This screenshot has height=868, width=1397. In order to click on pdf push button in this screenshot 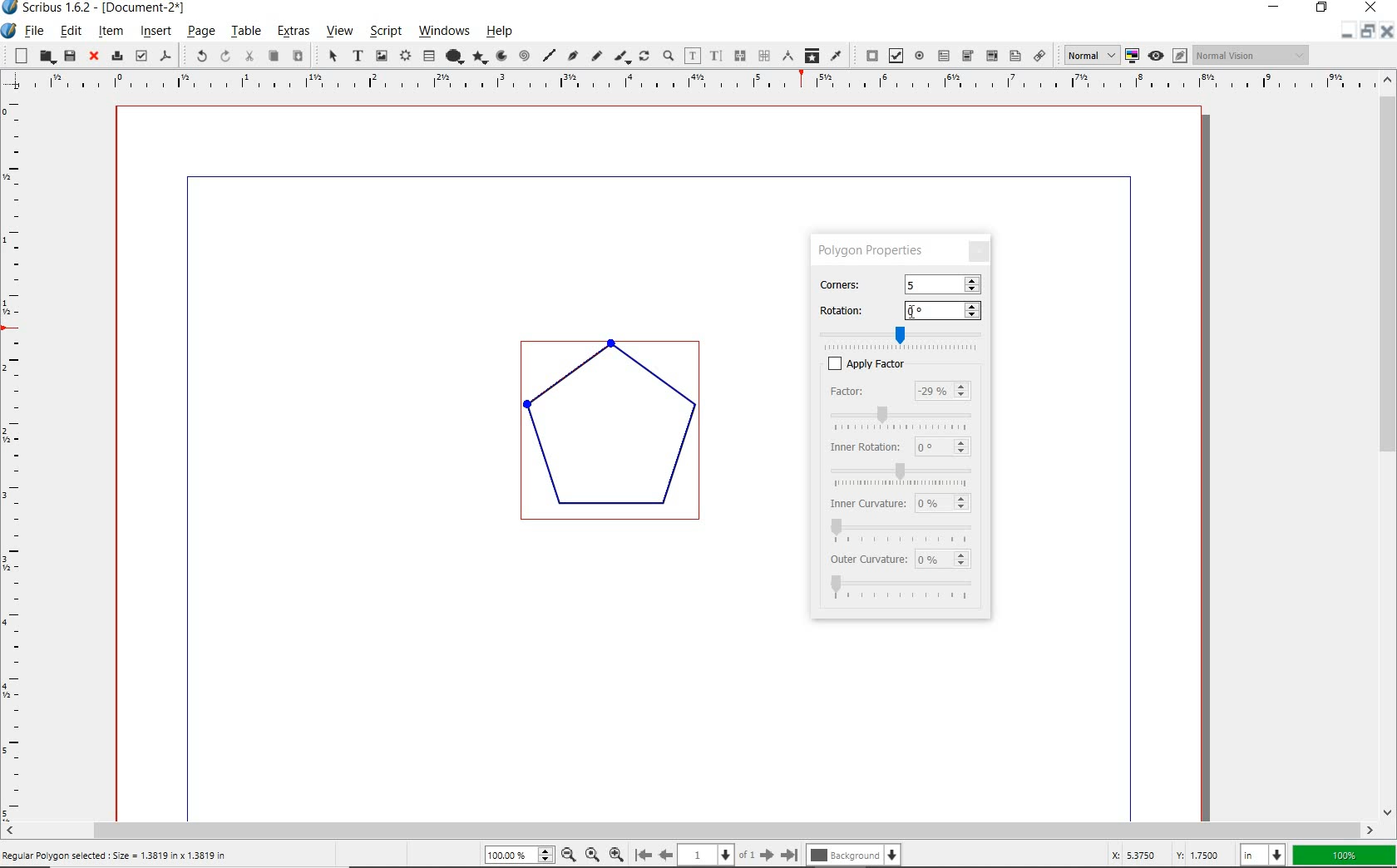, I will do `click(868, 55)`.